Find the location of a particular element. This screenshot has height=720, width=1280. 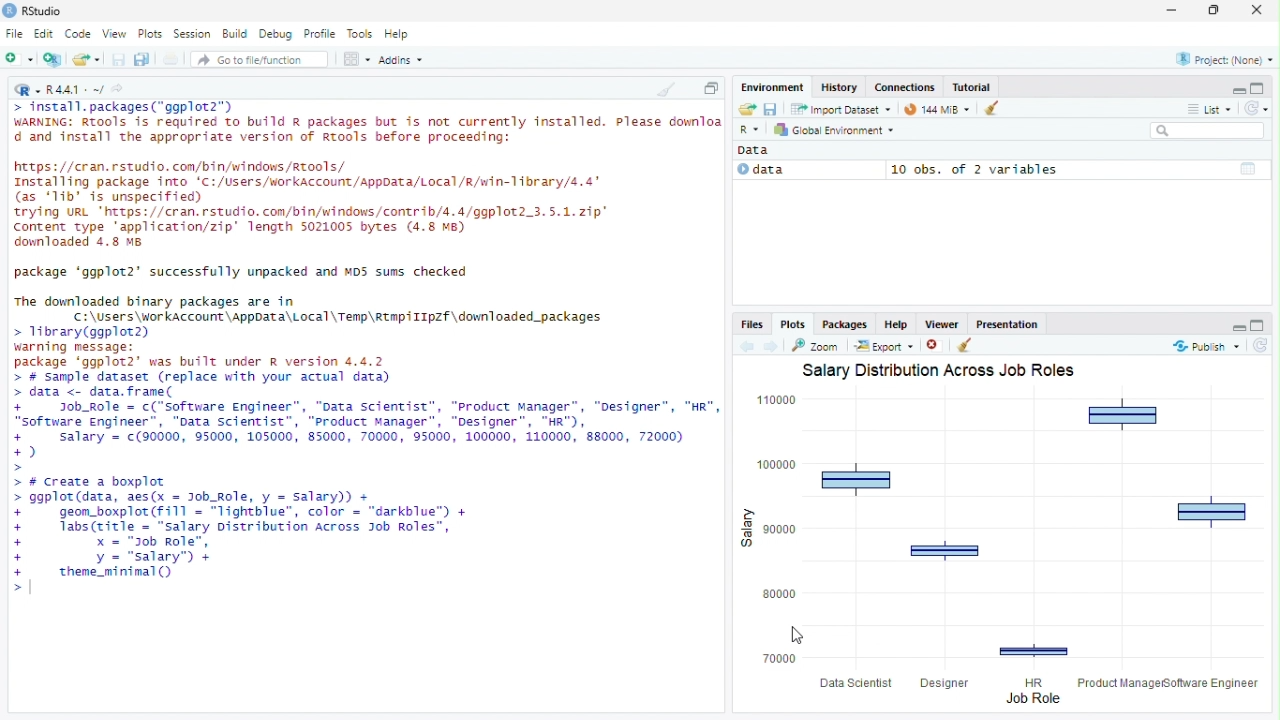

Clear all plots is located at coordinates (969, 345).